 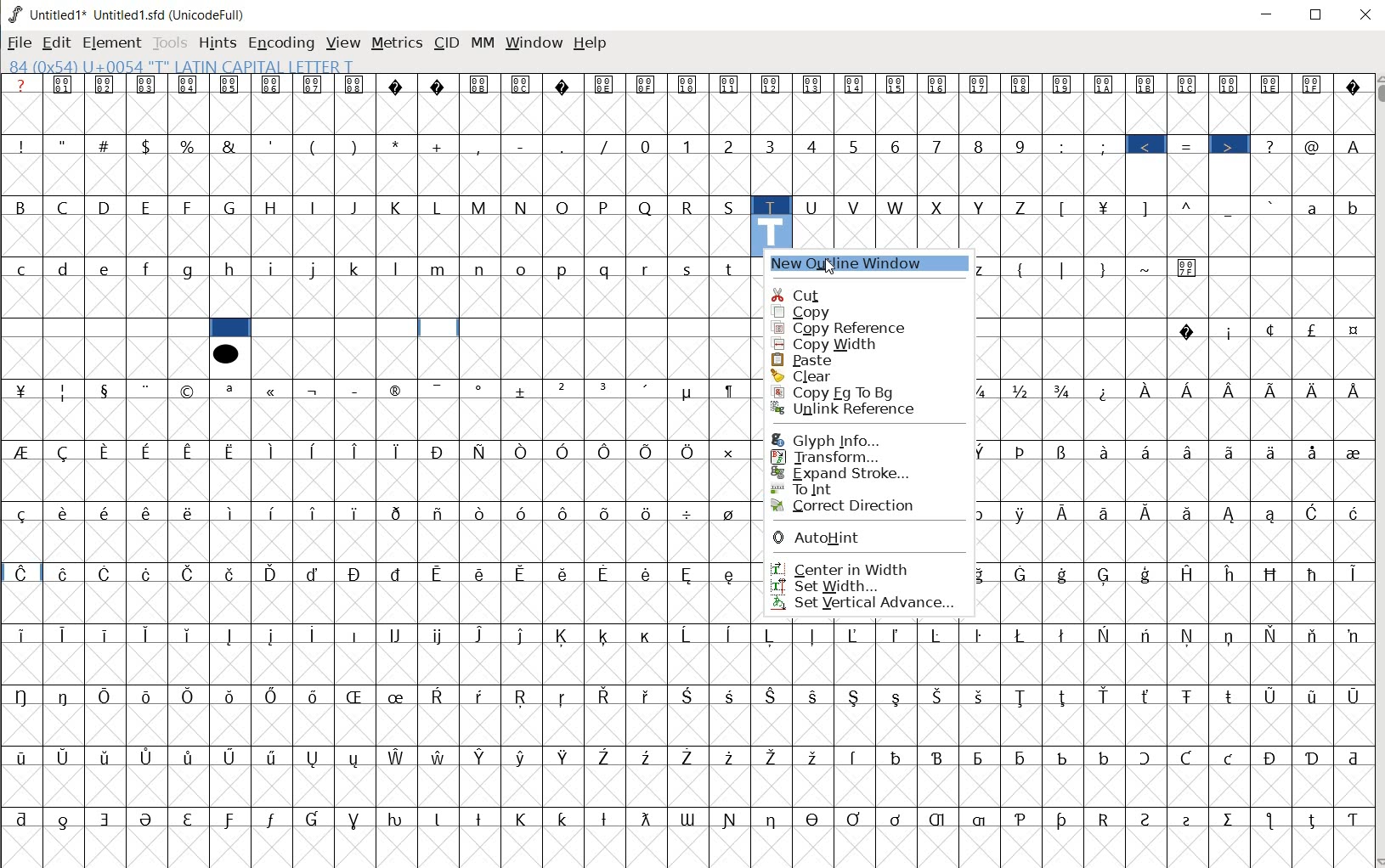 What do you see at coordinates (647, 511) in the screenshot?
I see `Symbol` at bounding box center [647, 511].